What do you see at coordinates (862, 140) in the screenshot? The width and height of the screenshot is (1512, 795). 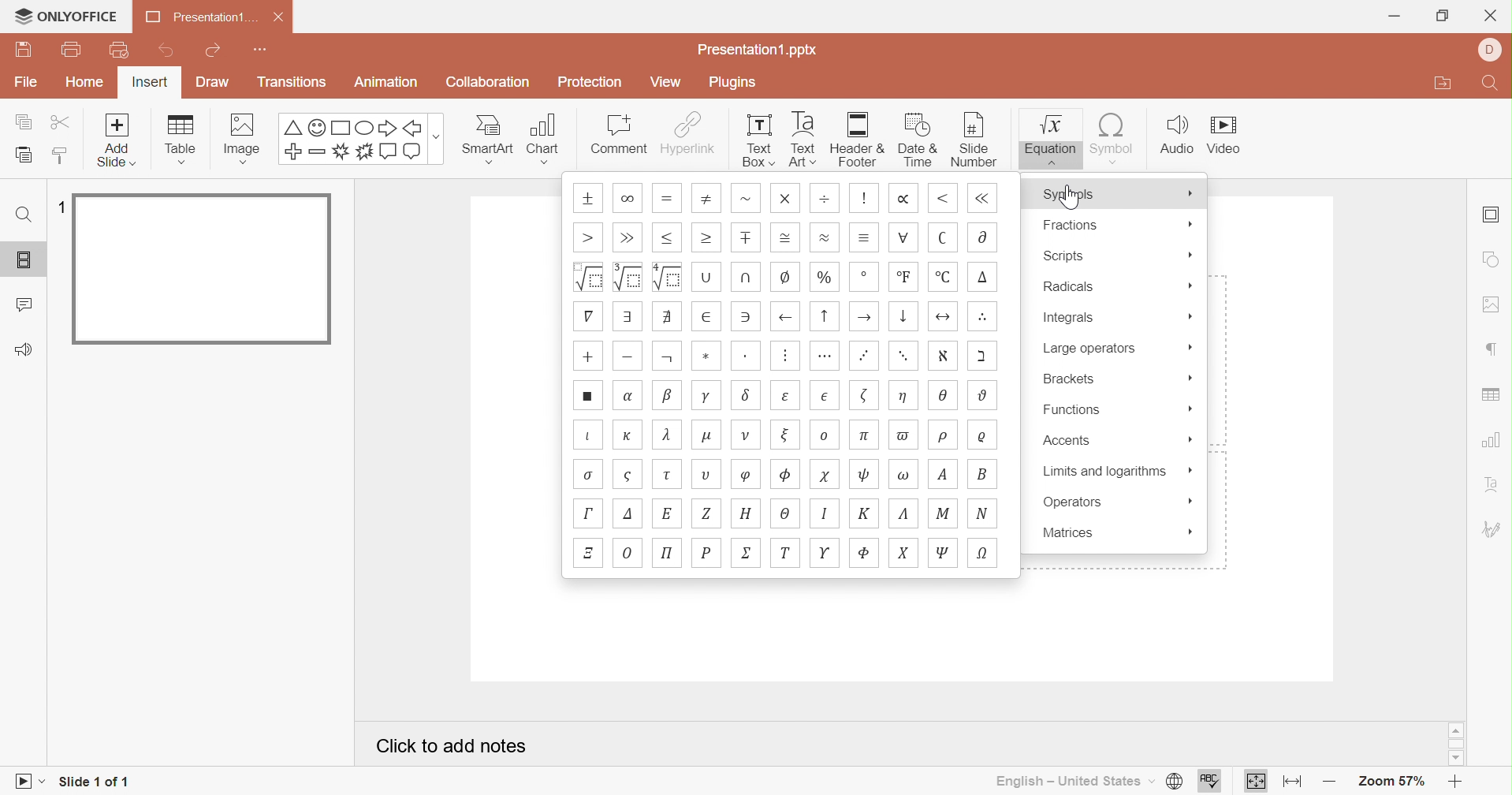 I see `Header & Footer` at bounding box center [862, 140].